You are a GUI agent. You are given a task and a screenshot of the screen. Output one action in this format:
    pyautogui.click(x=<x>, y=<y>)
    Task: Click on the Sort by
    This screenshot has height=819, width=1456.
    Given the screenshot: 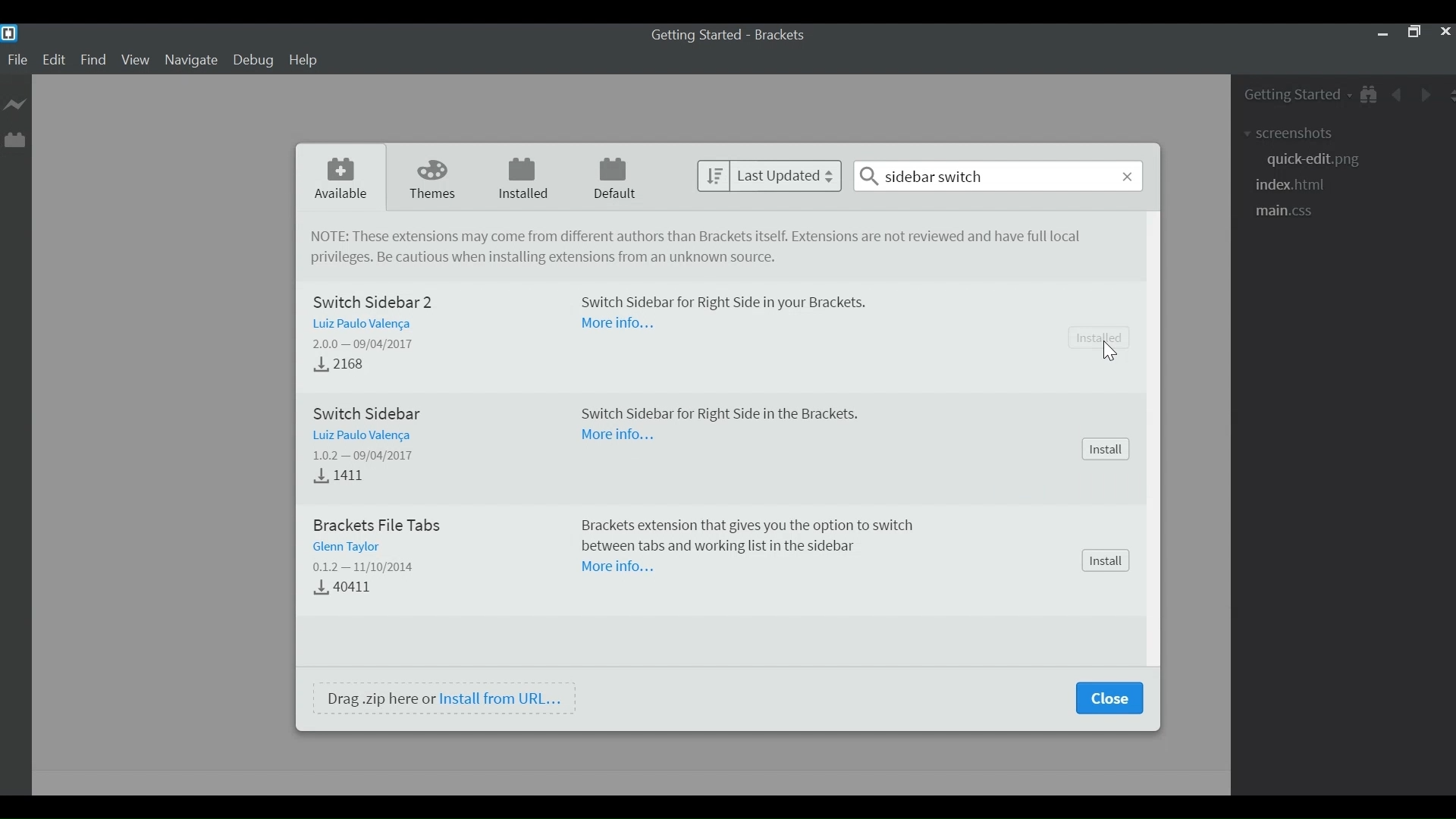 What is the action you would take?
    pyautogui.click(x=770, y=174)
    